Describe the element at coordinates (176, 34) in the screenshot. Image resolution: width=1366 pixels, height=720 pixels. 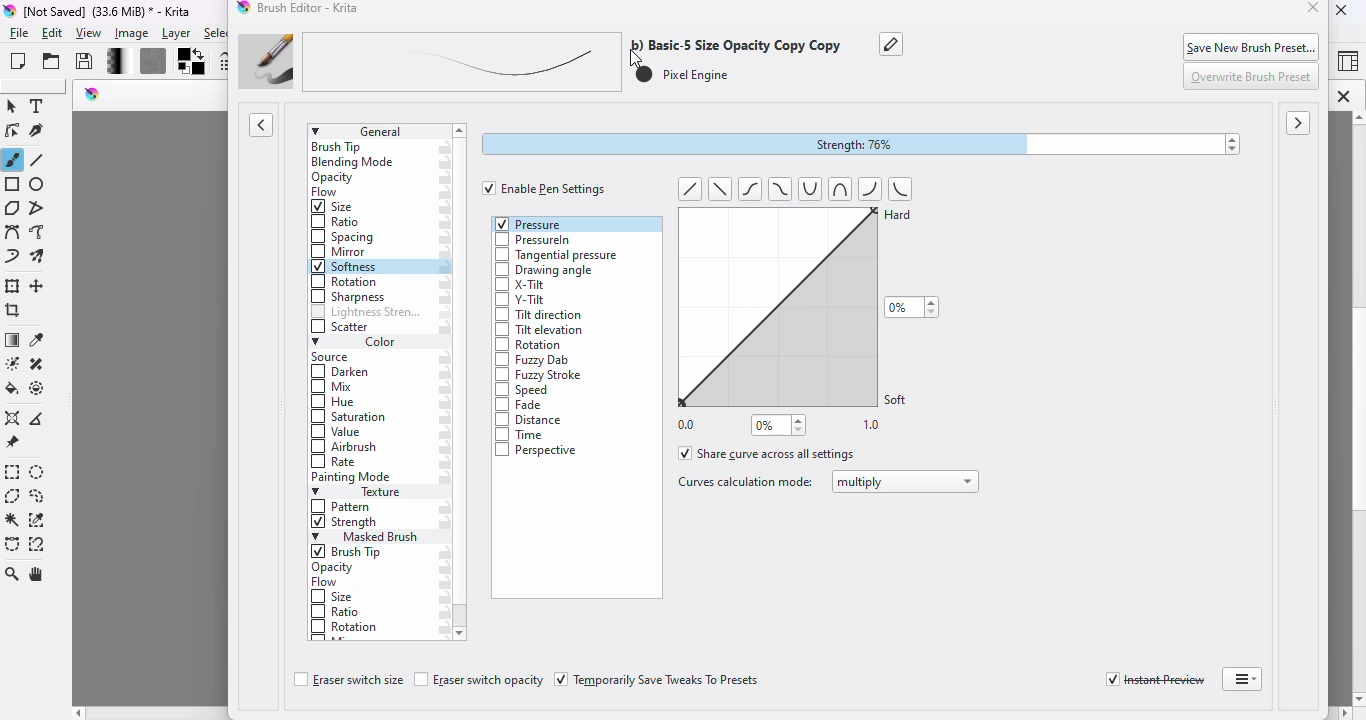
I see `layer` at that location.